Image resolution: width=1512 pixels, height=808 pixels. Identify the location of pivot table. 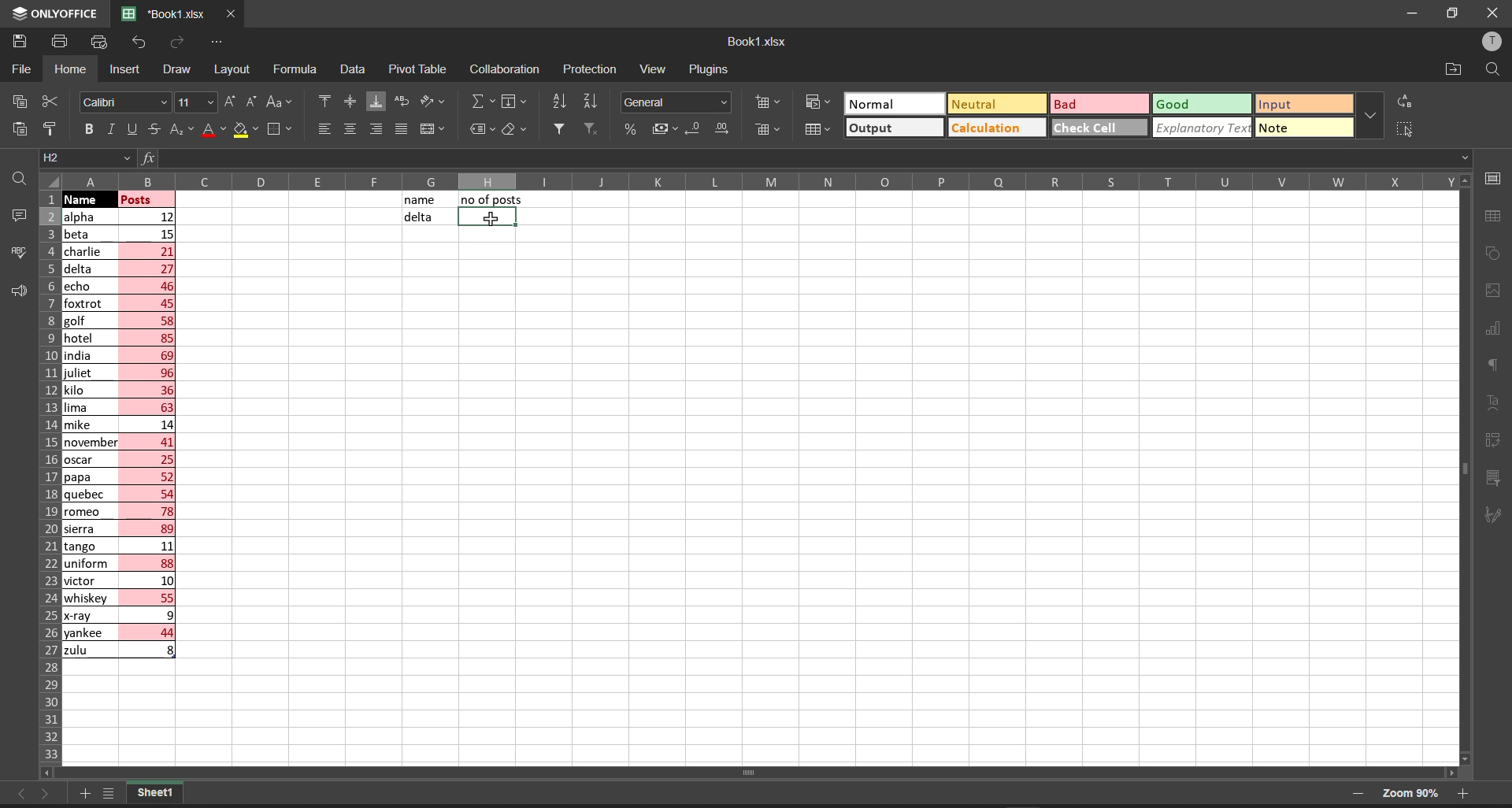
(418, 67).